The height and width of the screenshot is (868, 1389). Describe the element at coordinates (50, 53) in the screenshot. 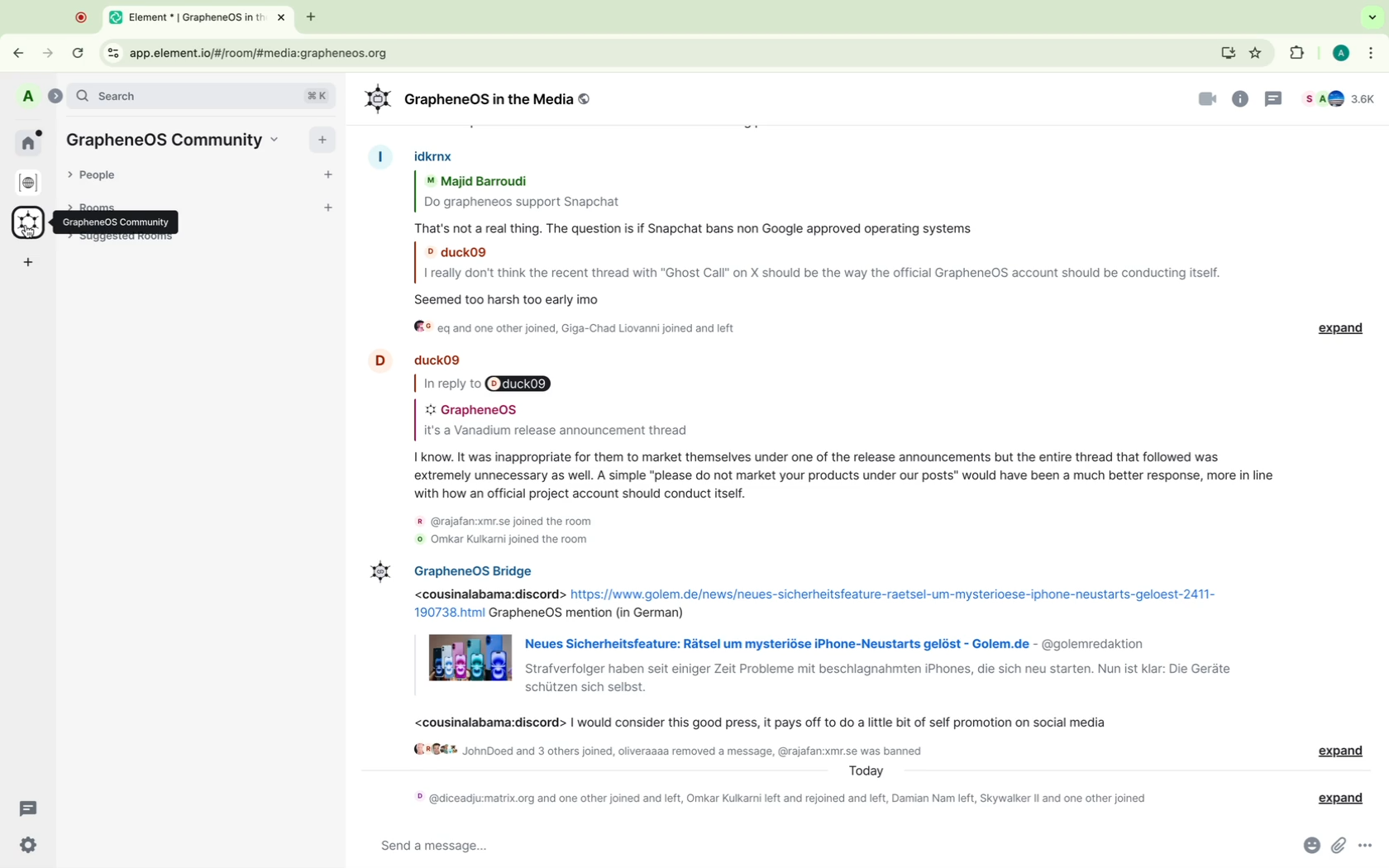

I see `forward` at that location.